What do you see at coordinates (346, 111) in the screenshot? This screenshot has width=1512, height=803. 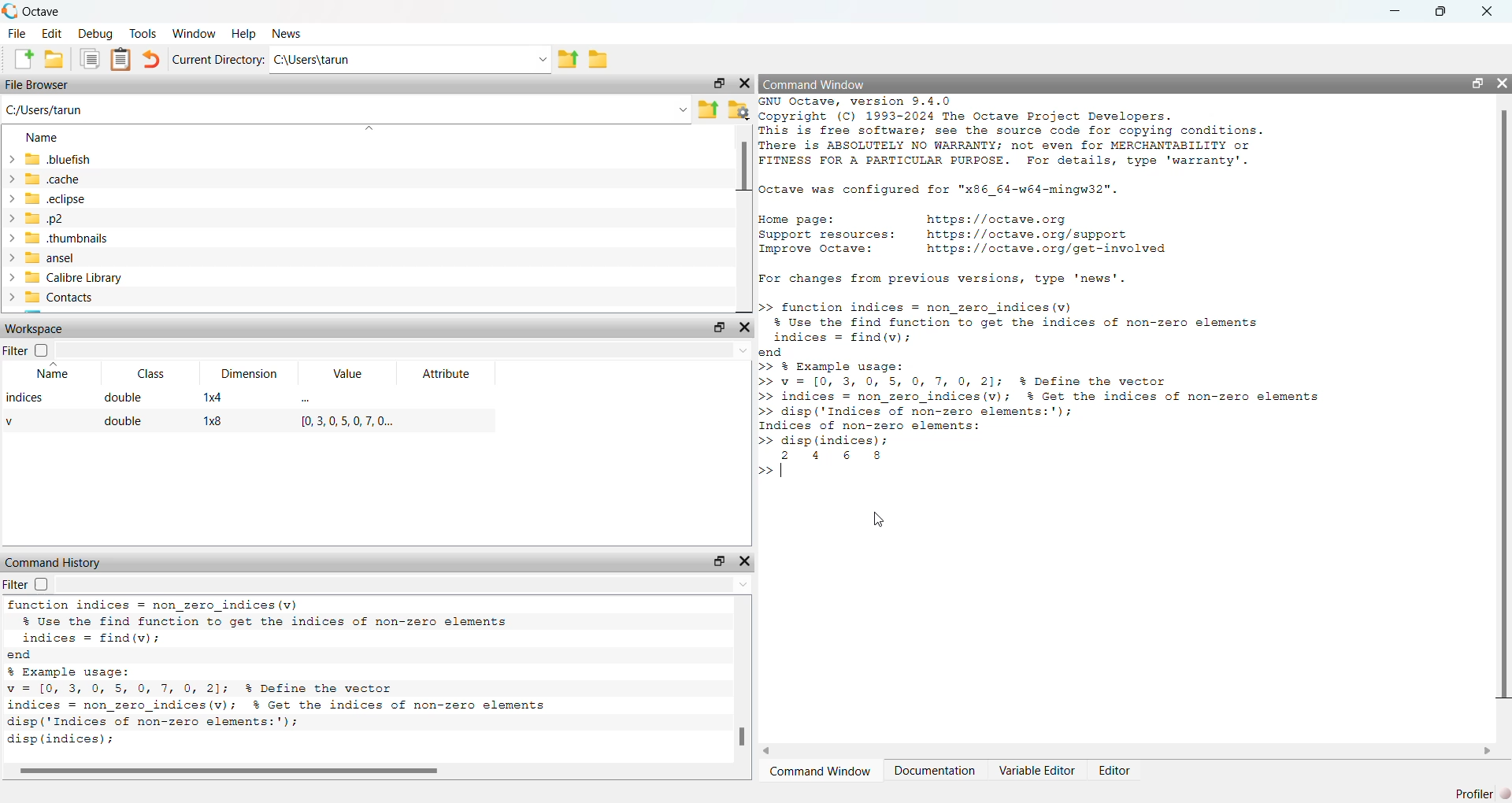 I see `C:/Users/tarun` at bounding box center [346, 111].